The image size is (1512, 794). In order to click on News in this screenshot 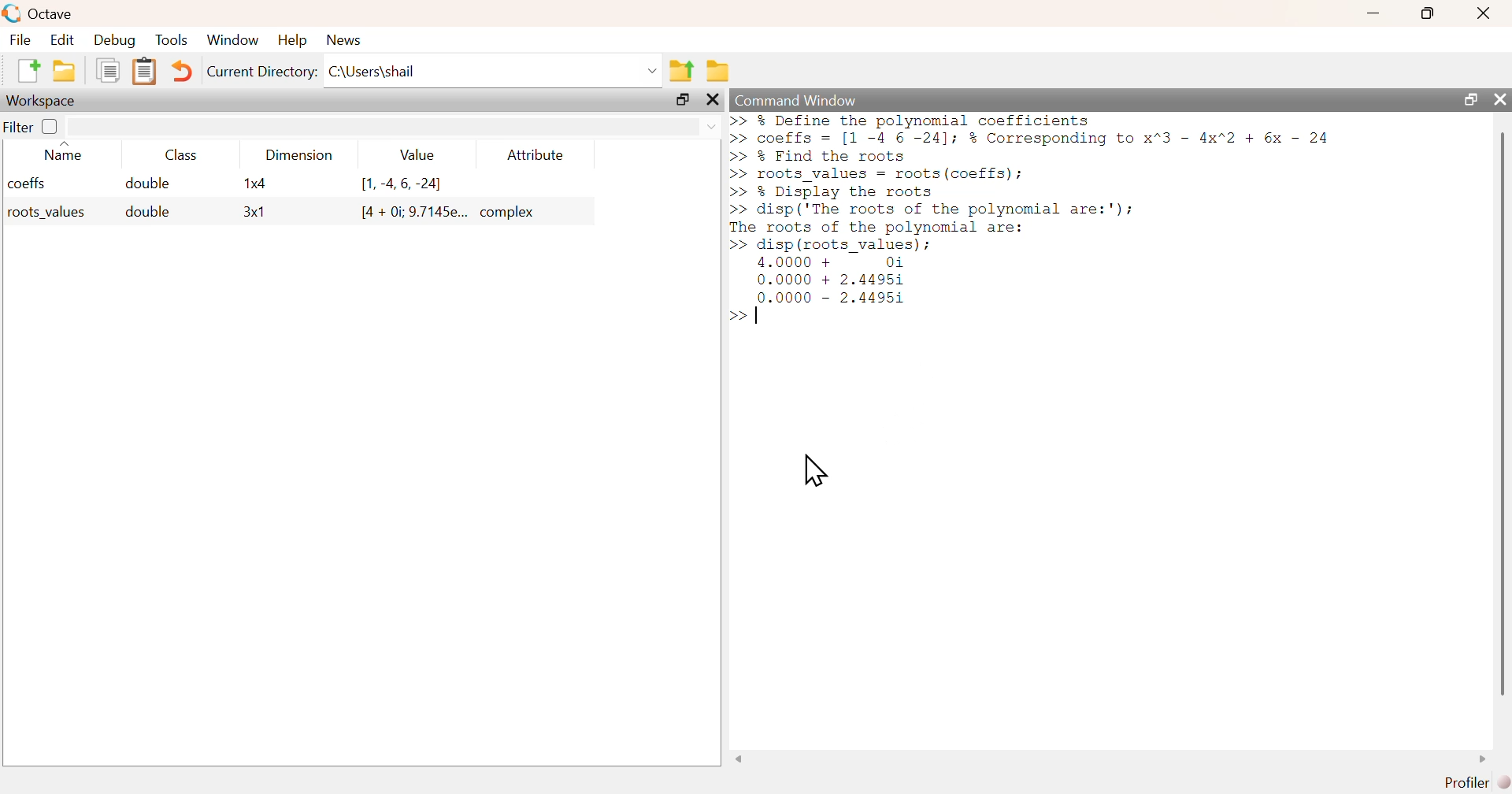, I will do `click(343, 39)`.